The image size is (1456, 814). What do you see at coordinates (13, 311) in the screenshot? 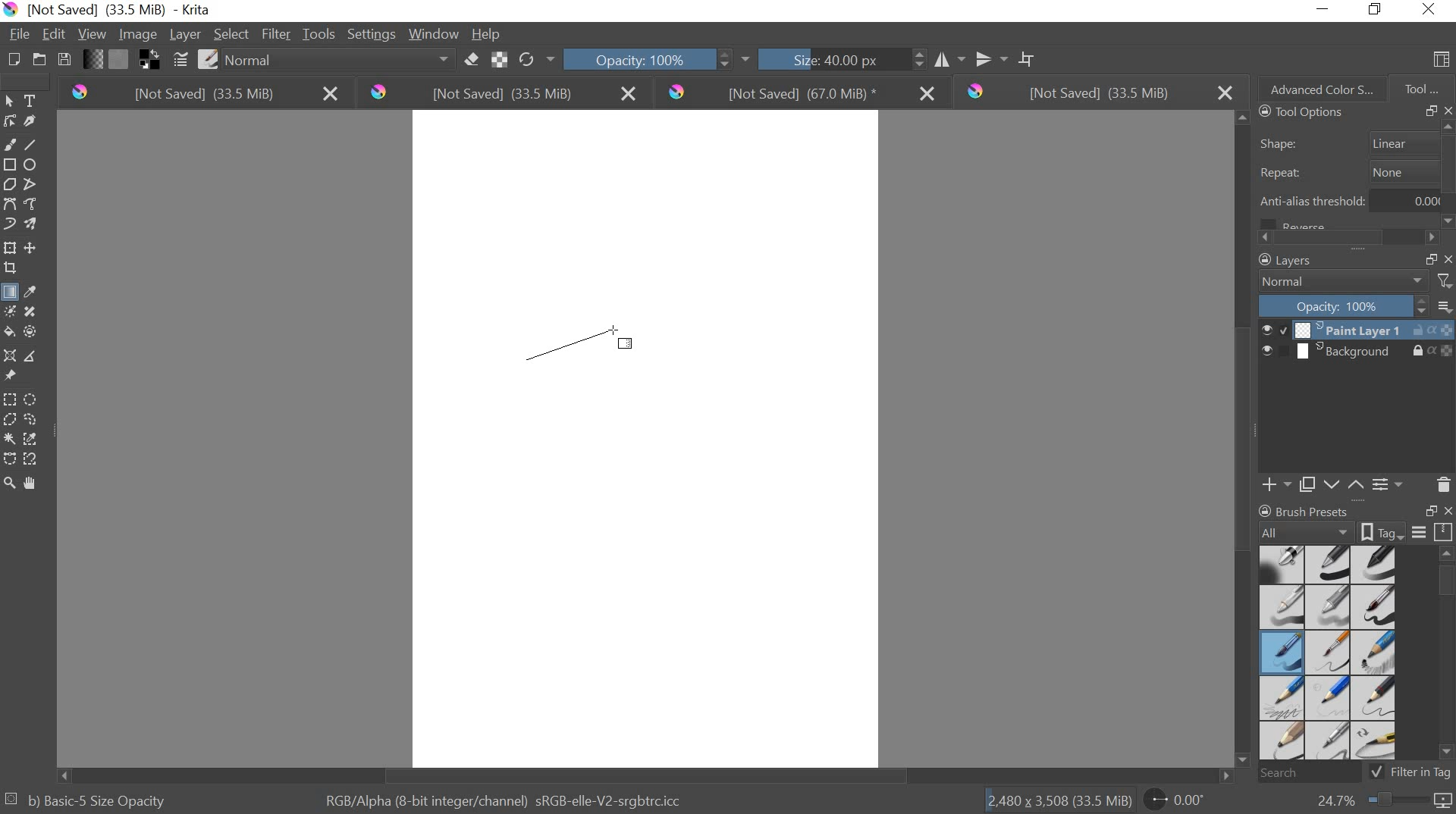
I see `colorize mask tool` at bounding box center [13, 311].